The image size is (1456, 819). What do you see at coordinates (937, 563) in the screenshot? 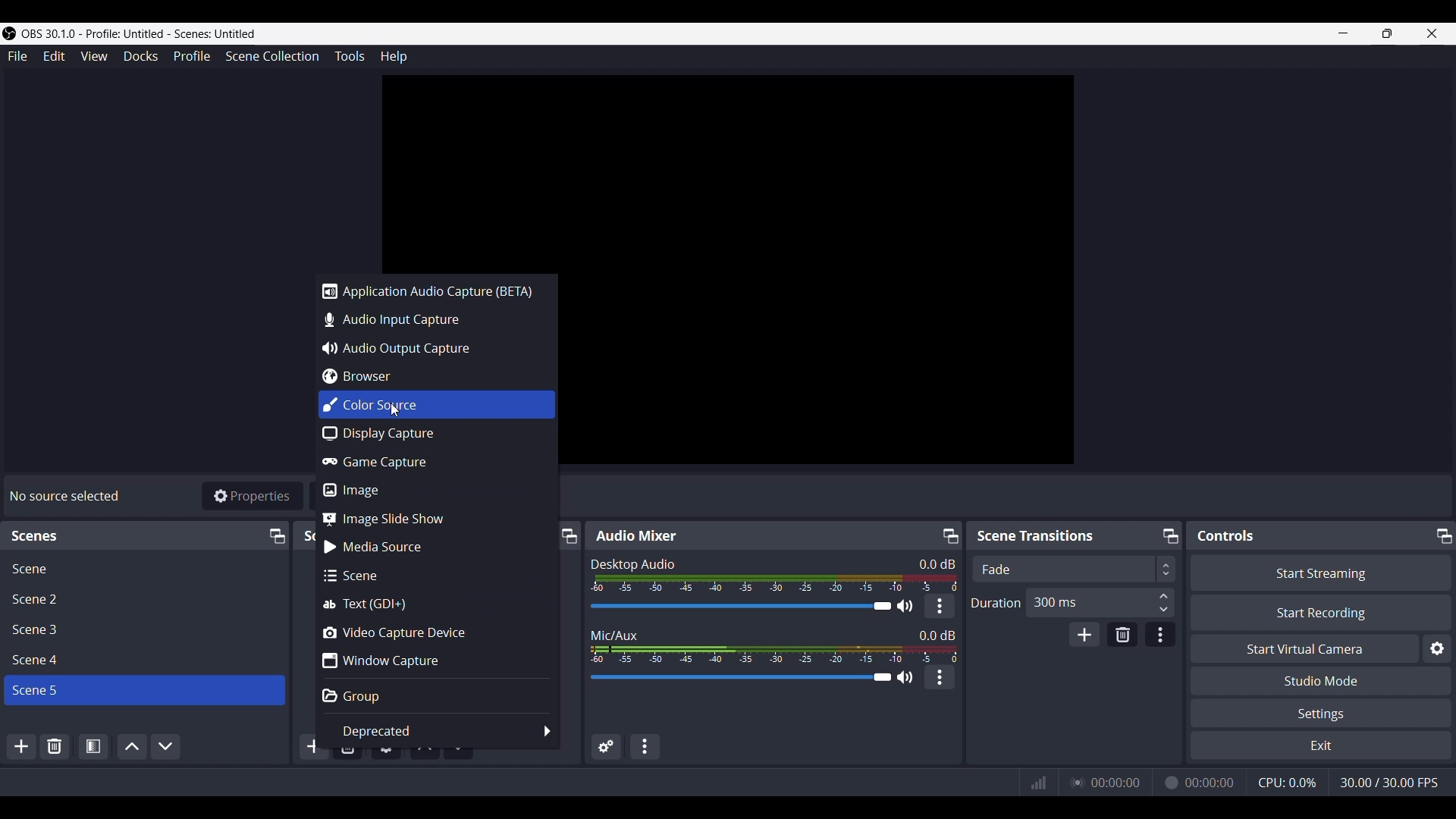
I see `0.0 dB` at bounding box center [937, 563].